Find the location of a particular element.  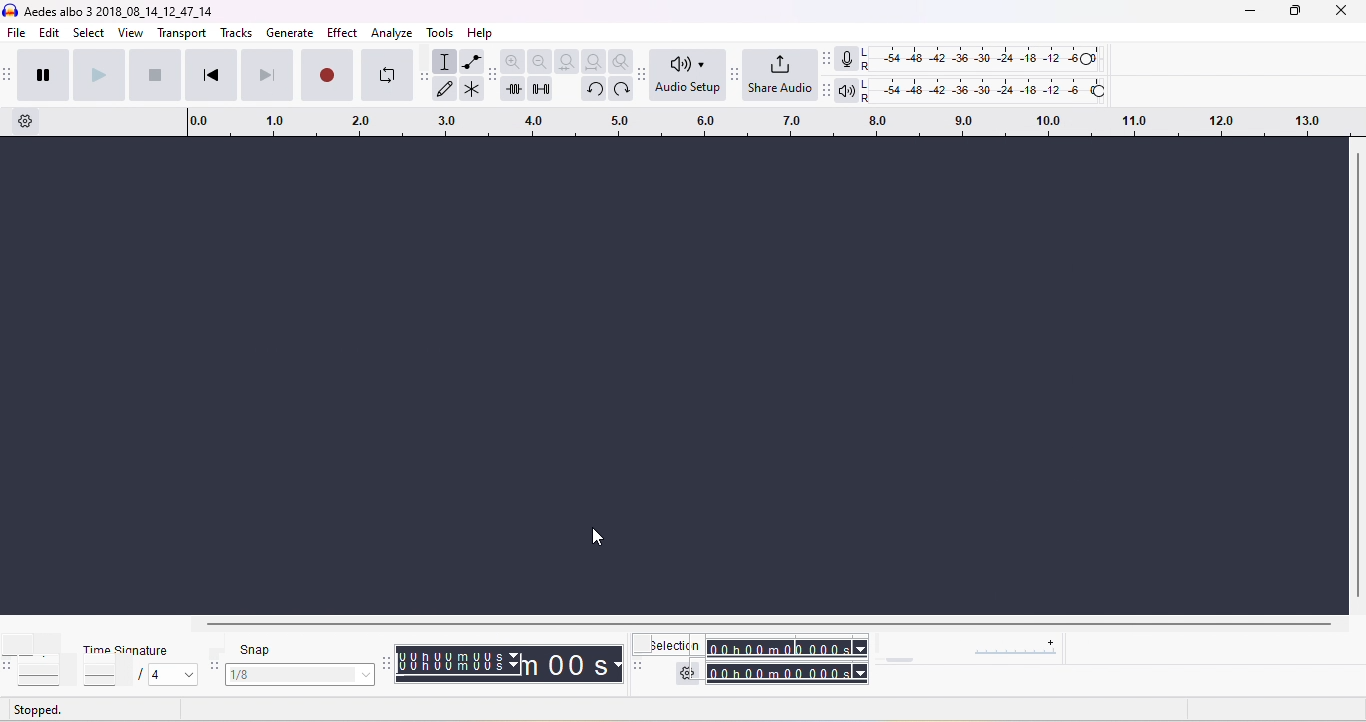

audacity time is located at coordinates (511, 665).